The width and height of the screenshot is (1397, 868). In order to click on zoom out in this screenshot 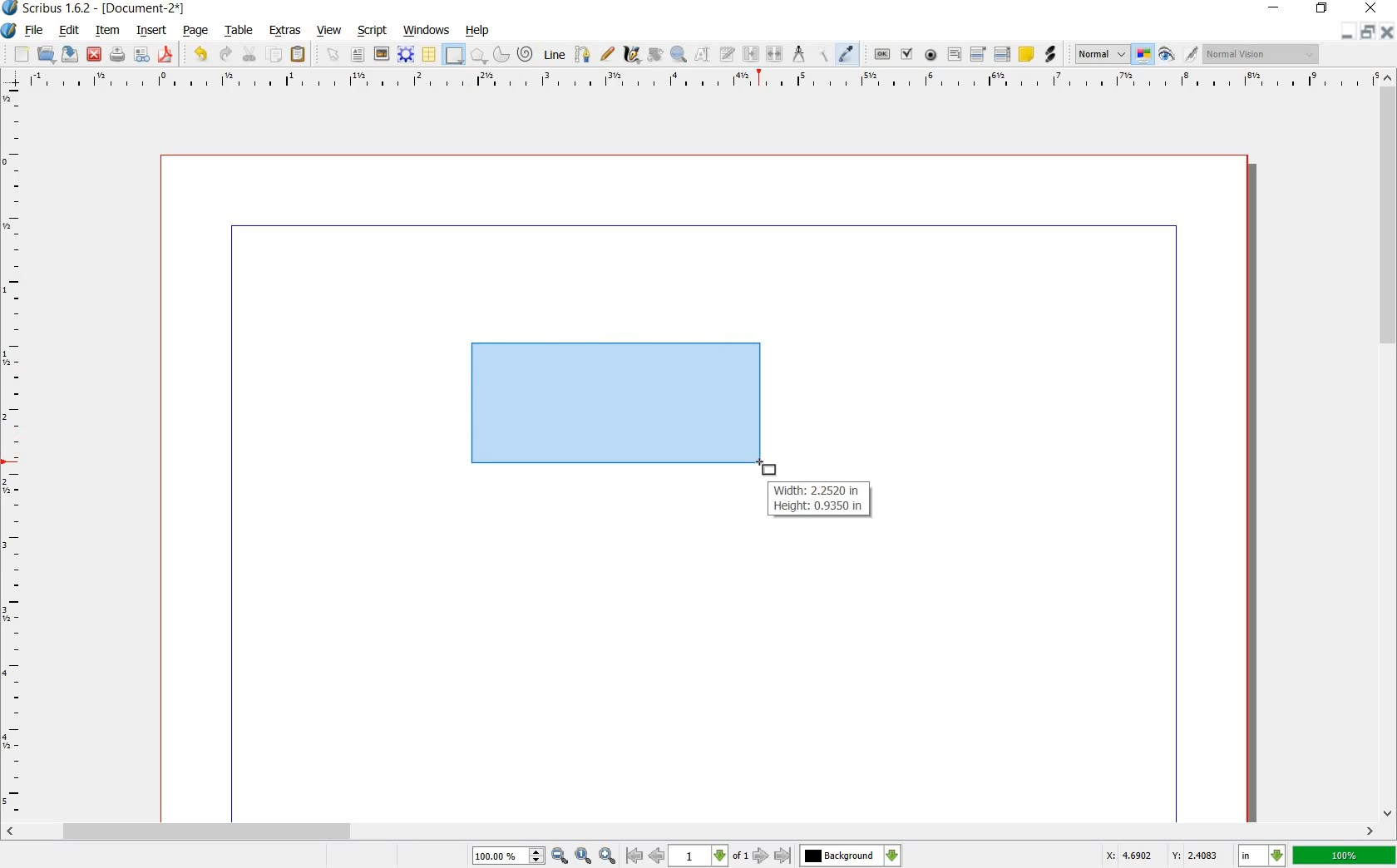, I will do `click(560, 856)`.